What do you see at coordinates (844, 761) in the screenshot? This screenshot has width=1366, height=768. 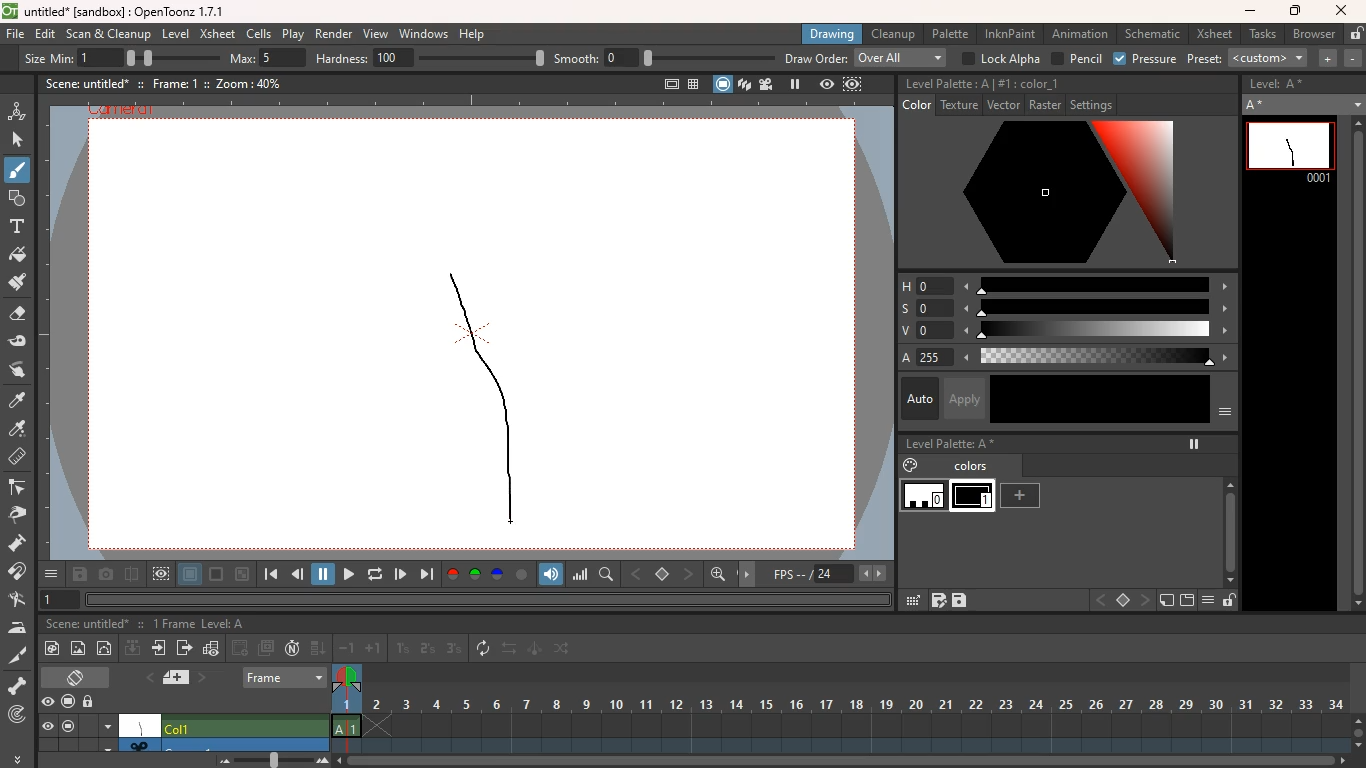 I see `zoom` at bounding box center [844, 761].